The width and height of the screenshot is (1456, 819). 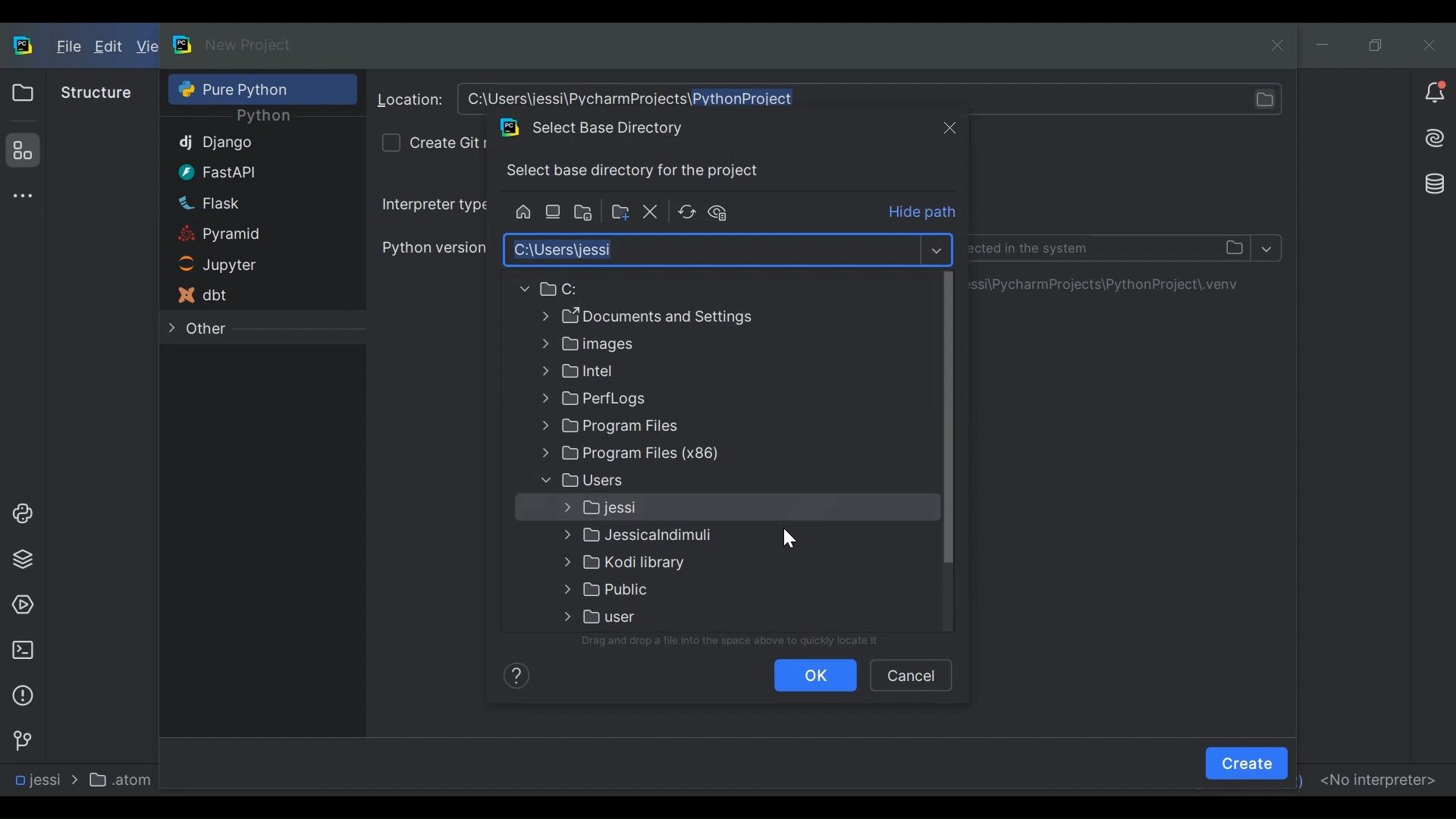 What do you see at coordinates (241, 235) in the screenshot?
I see `Pyramid` at bounding box center [241, 235].